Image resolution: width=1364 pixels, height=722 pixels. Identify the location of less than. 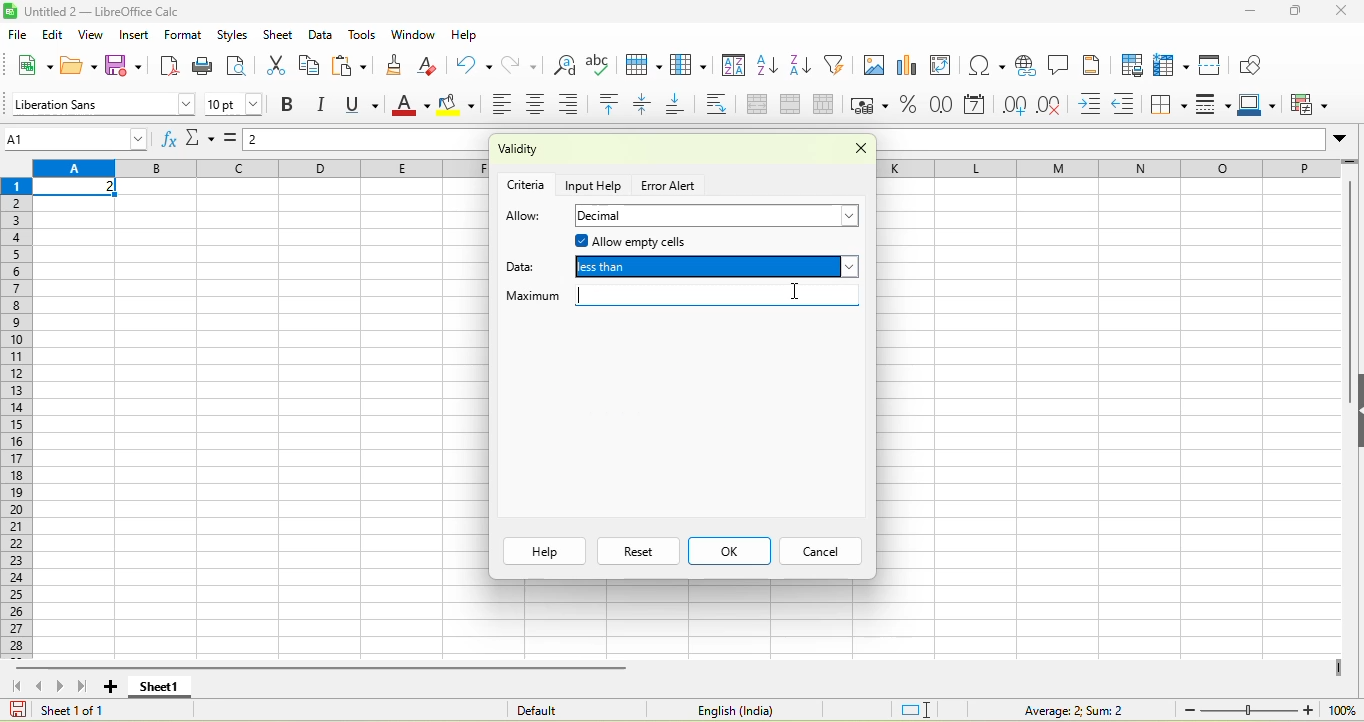
(717, 269).